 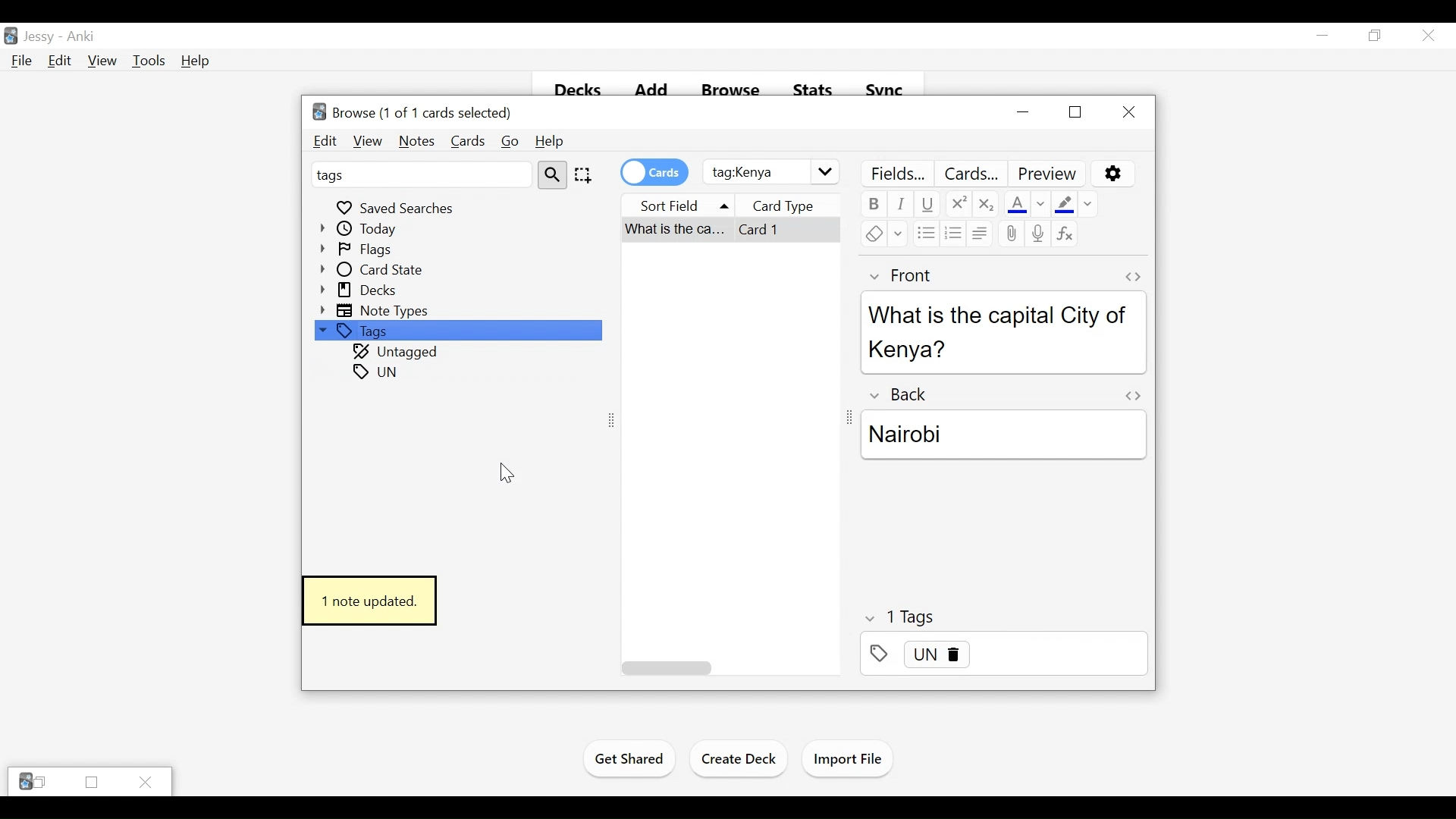 What do you see at coordinates (58, 61) in the screenshot?
I see `Edit` at bounding box center [58, 61].